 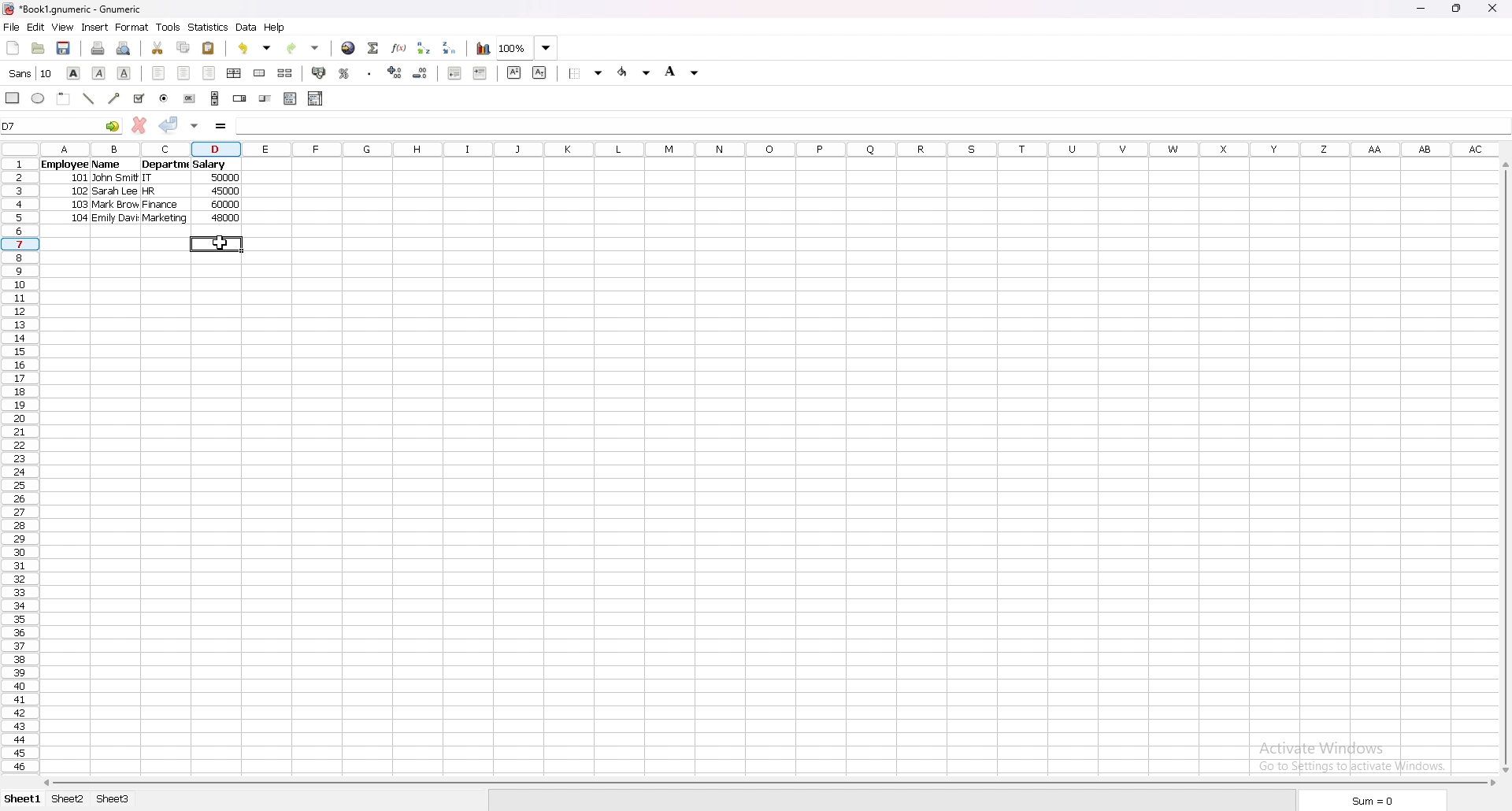 What do you see at coordinates (117, 178) in the screenshot?
I see `john smith` at bounding box center [117, 178].